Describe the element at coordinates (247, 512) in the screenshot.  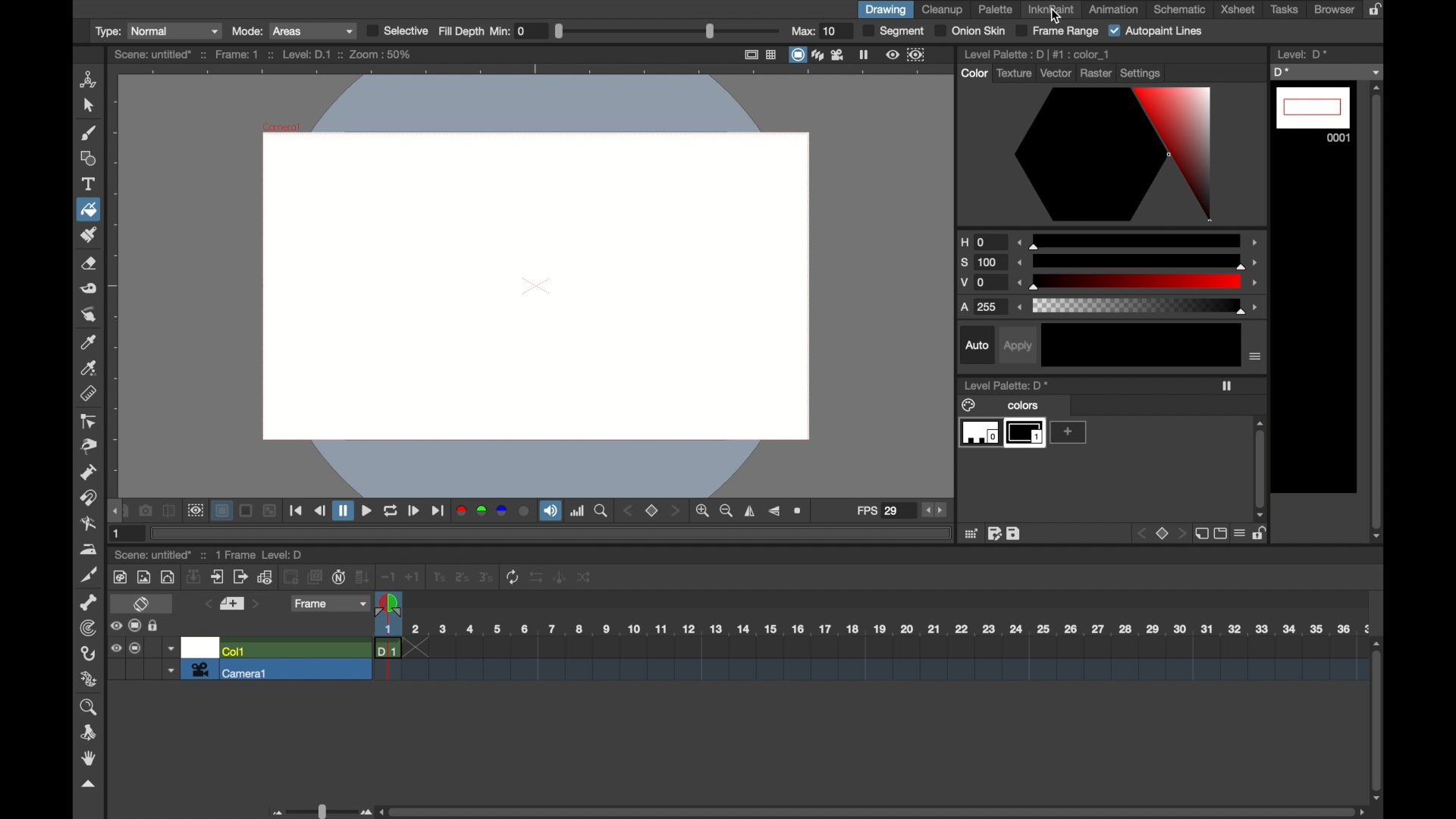
I see `screen` at that location.